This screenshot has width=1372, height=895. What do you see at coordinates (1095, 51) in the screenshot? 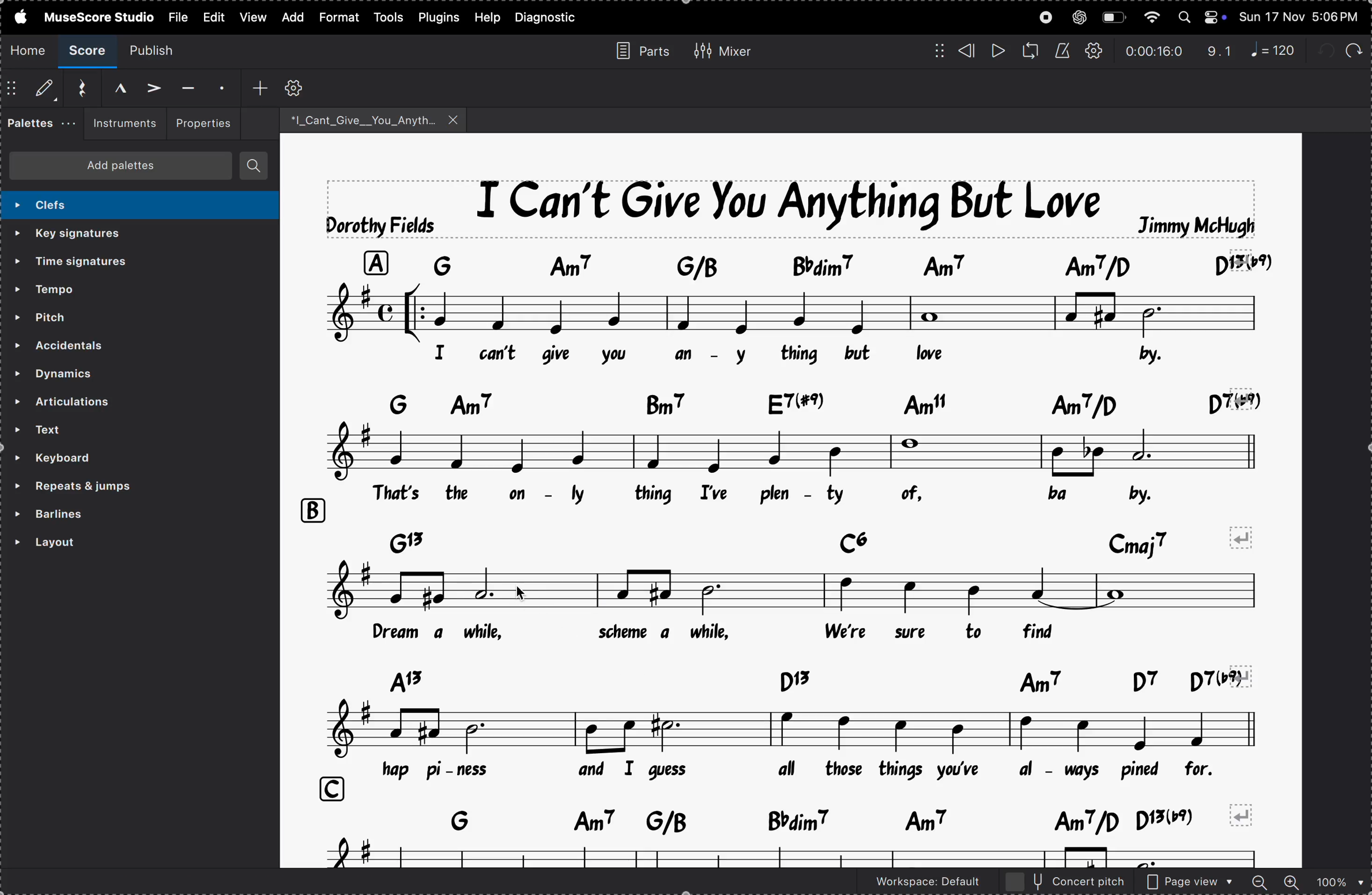
I see `playback settings` at bounding box center [1095, 51].